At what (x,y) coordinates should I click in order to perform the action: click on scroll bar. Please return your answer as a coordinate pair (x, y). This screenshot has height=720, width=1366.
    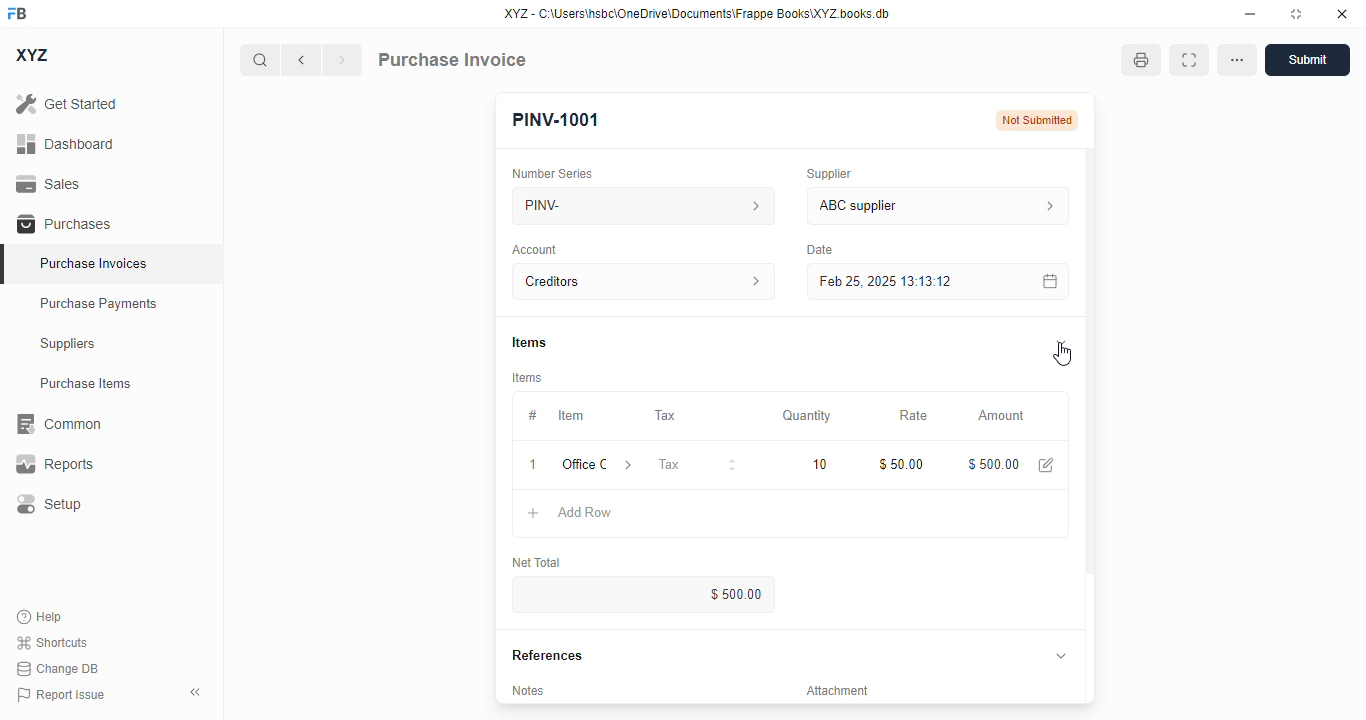
    Looking at the image, I should click on (1091, 425).